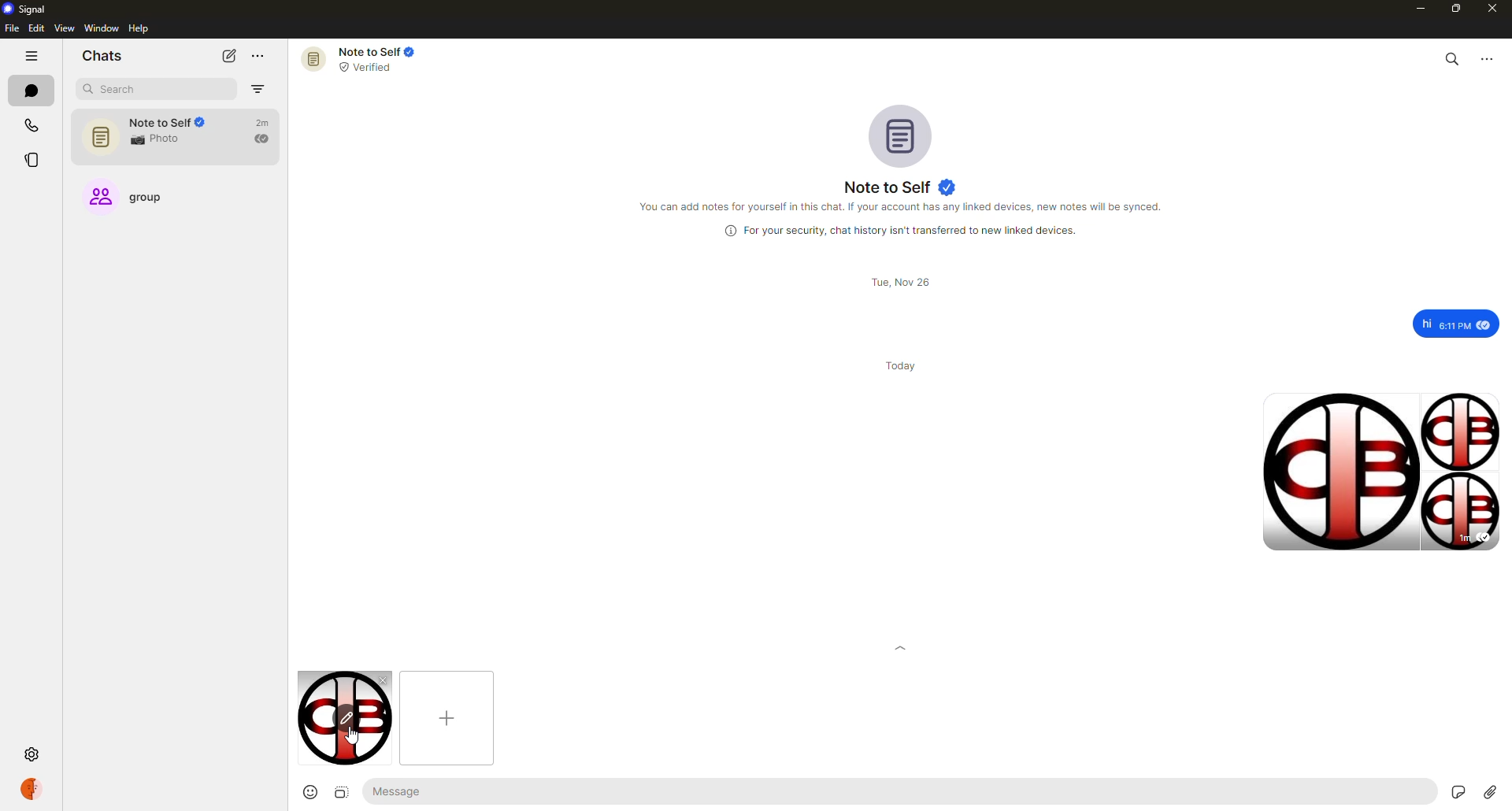 The width and height of the screenshot is (1512, 811). What do you see at coordinates (903, 135) in the screenshot?
I see `profile pic` at bounding box center [903, 135].